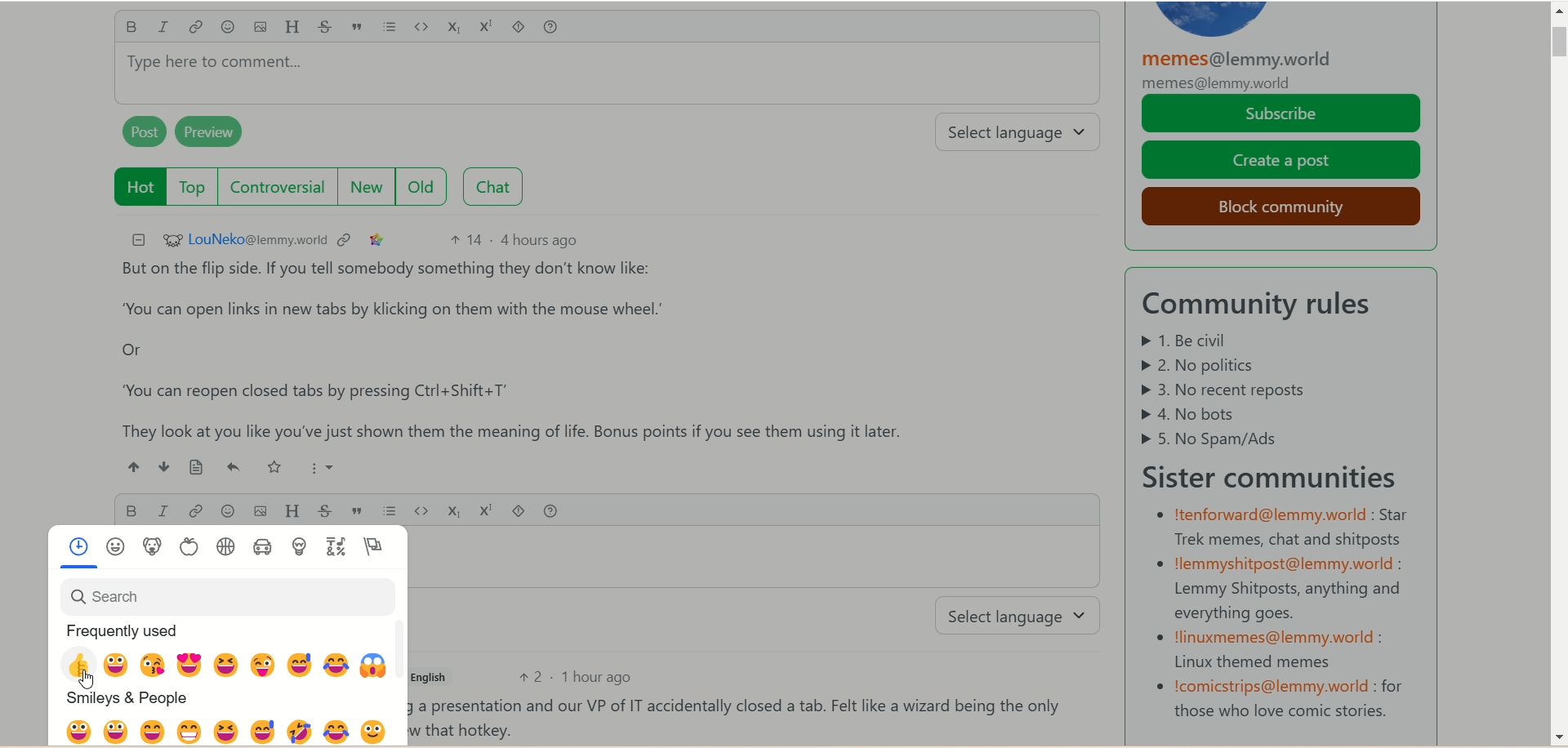  What do you see at coordinates (424, 26) in the screenshot?
I see `code` at bounding box center [424, 26].